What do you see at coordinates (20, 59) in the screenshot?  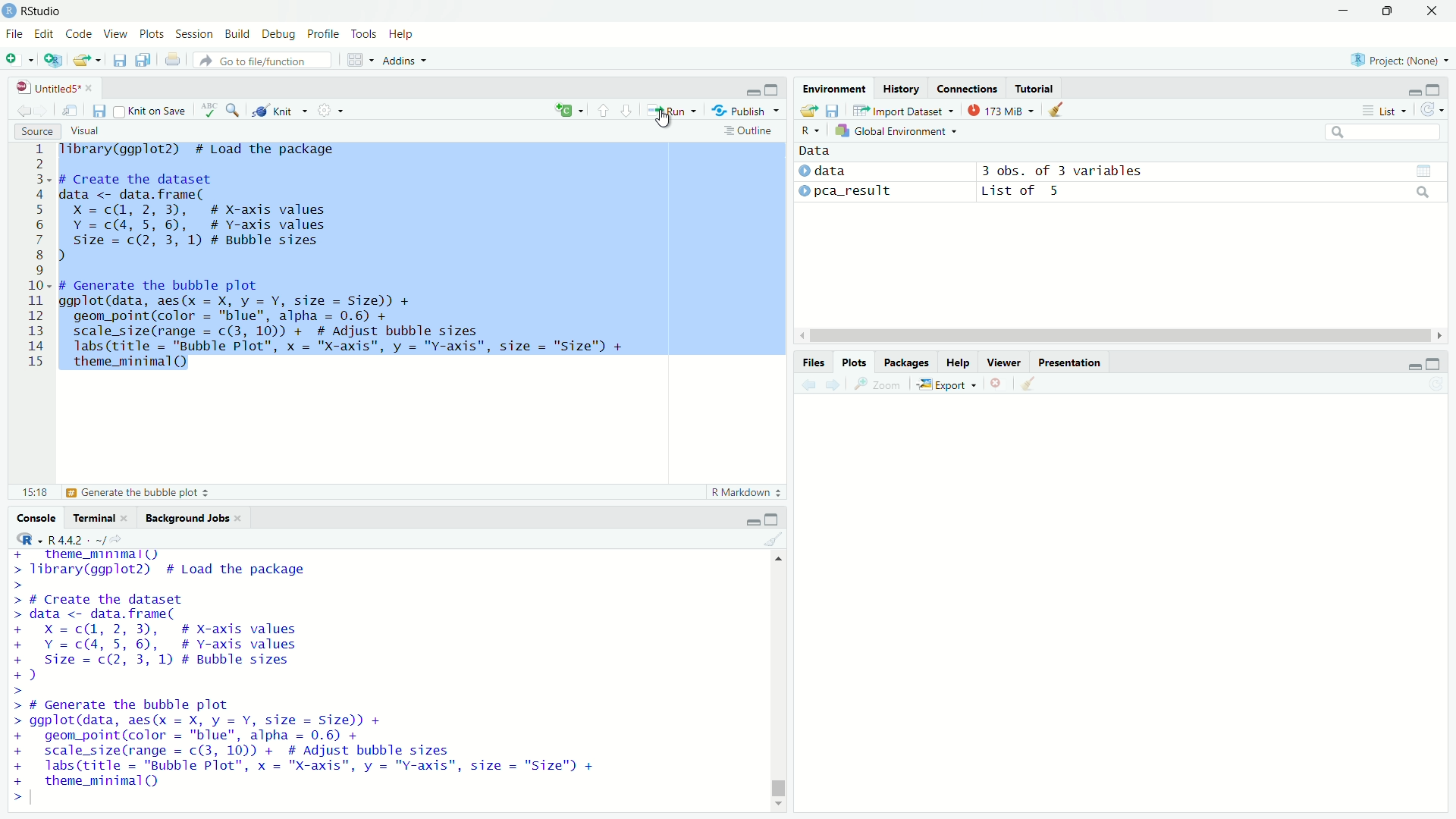 I see `new file` at bounding box center [20, 59].